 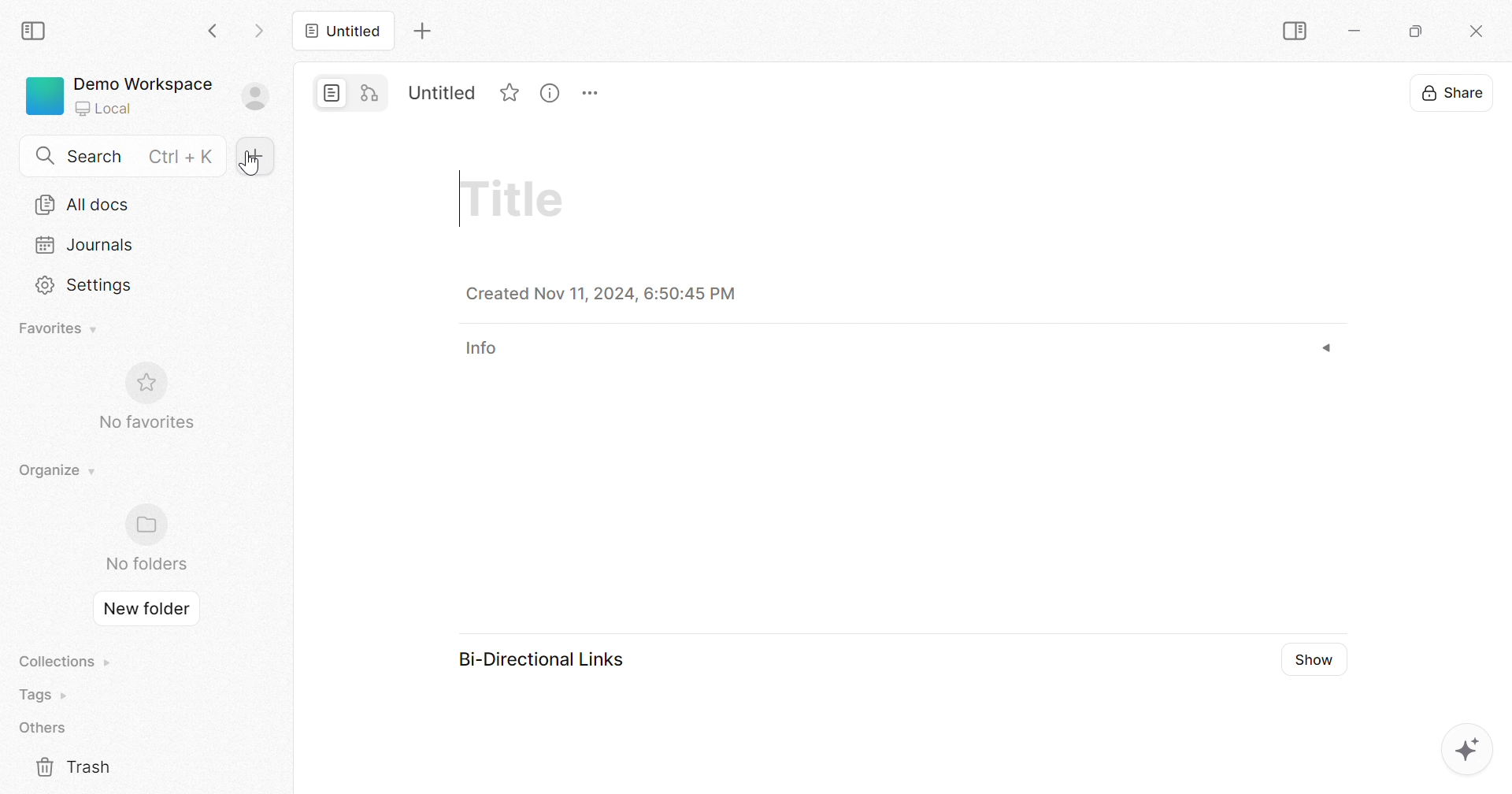 What do you see at coordinates (145, 608) in the screenshot?
I see `New folder` at bounding box center [145, 608].